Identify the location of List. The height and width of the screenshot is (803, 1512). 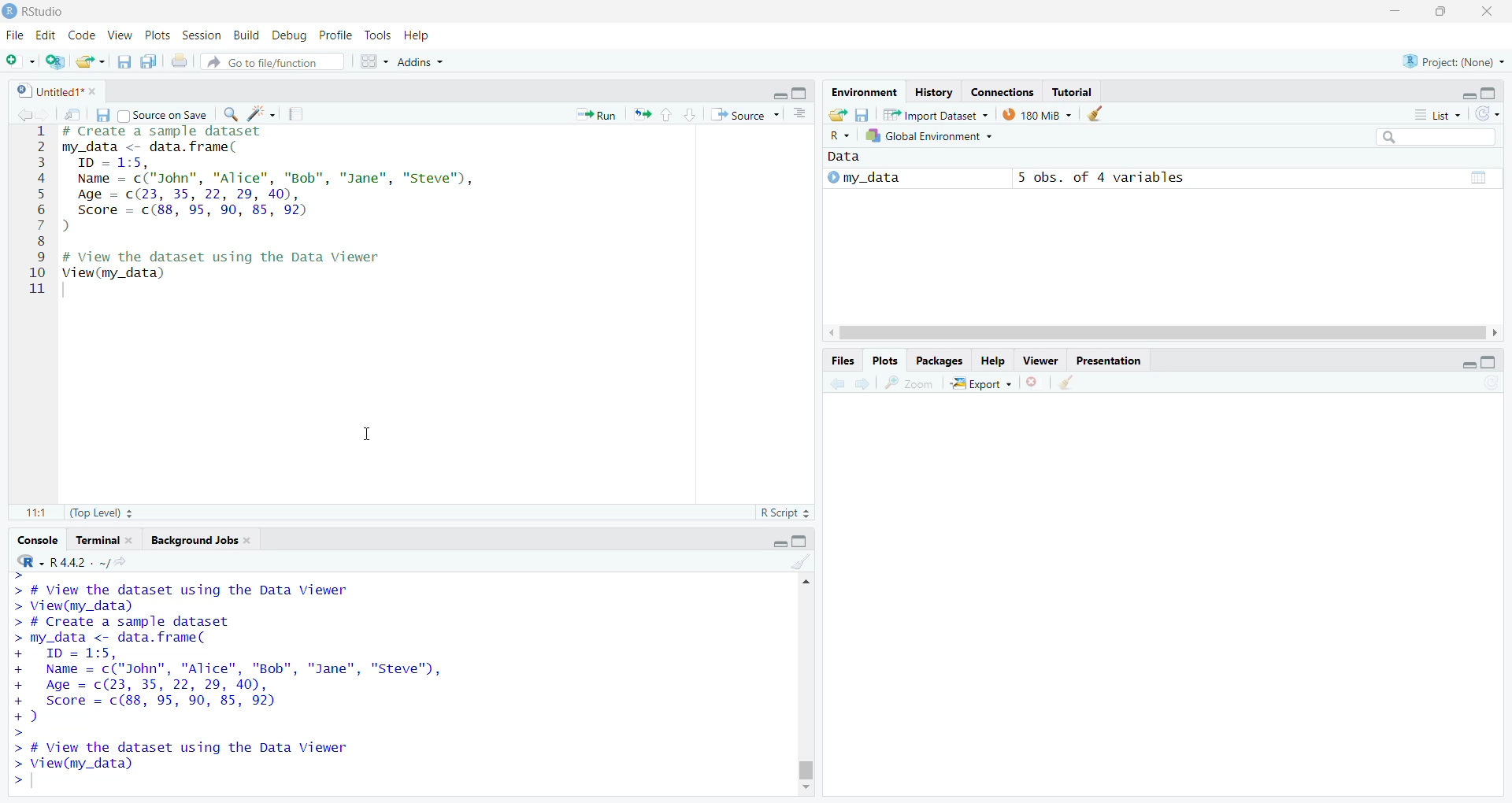
(1440, 116).